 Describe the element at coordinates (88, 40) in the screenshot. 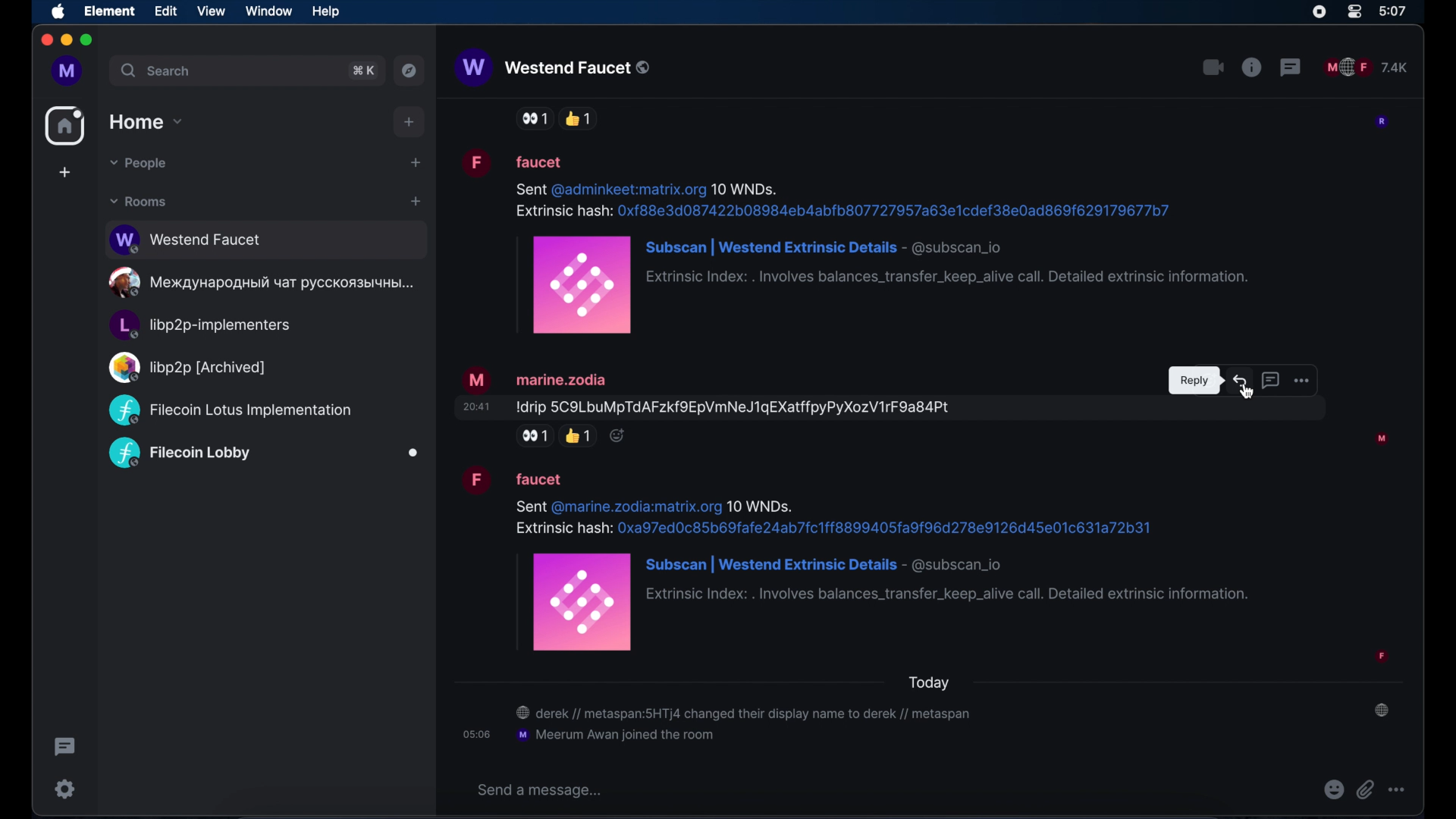

I see `maximize` at that location.